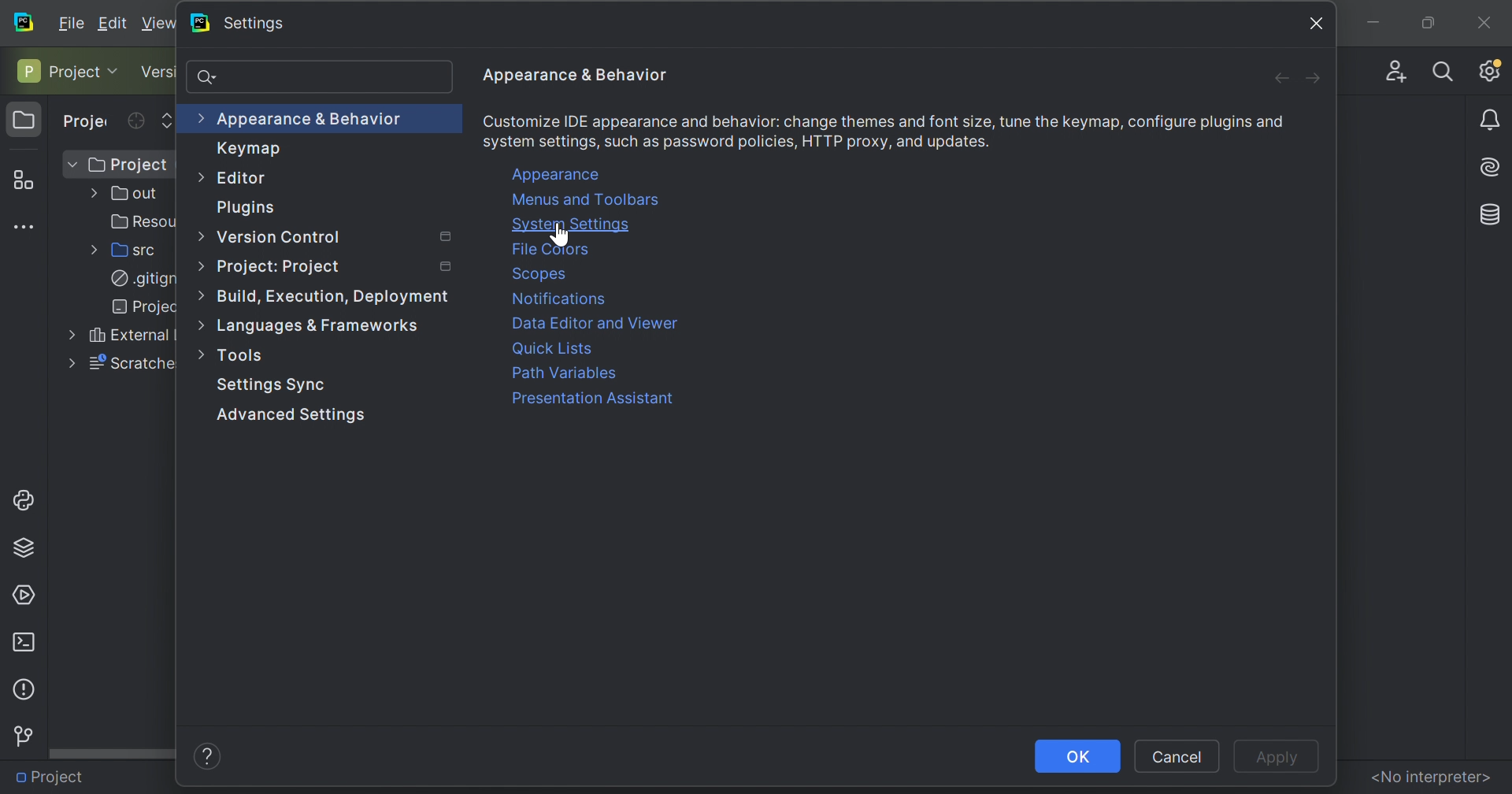  I want to click on Services, so click(26, 593).